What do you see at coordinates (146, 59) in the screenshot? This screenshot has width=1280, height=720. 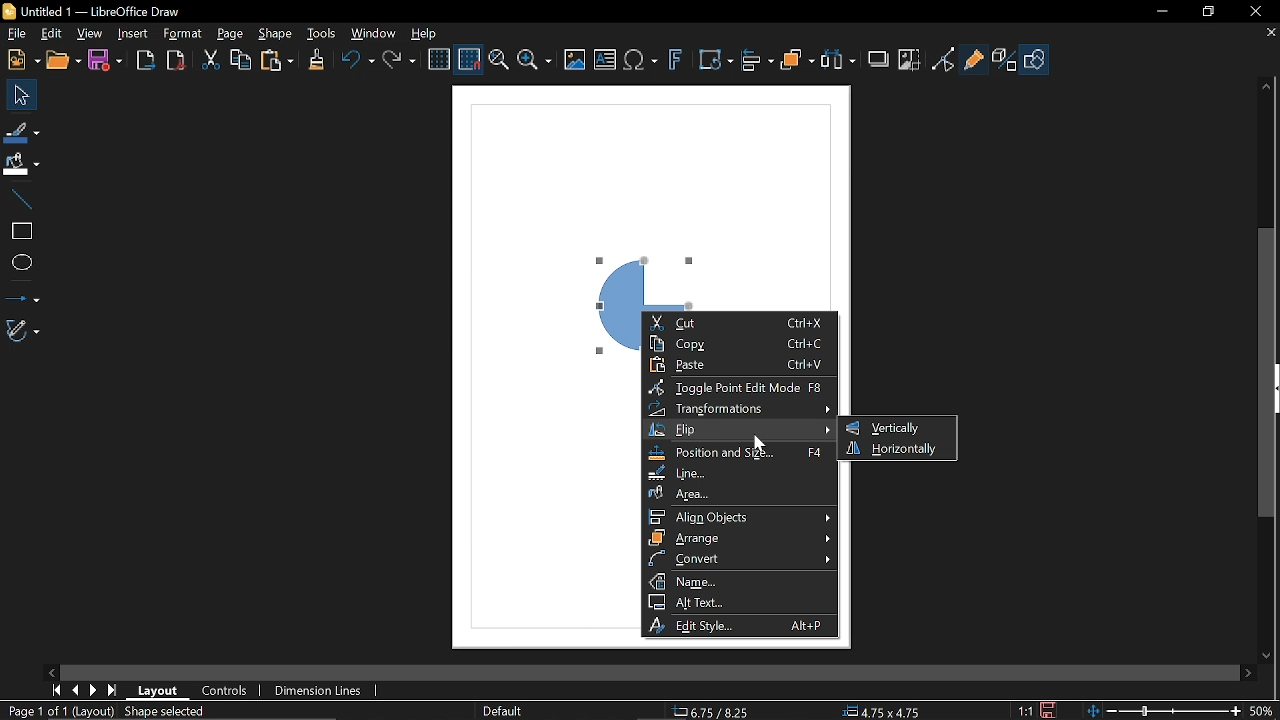 I see `Export` at bounding box center [146, 59].